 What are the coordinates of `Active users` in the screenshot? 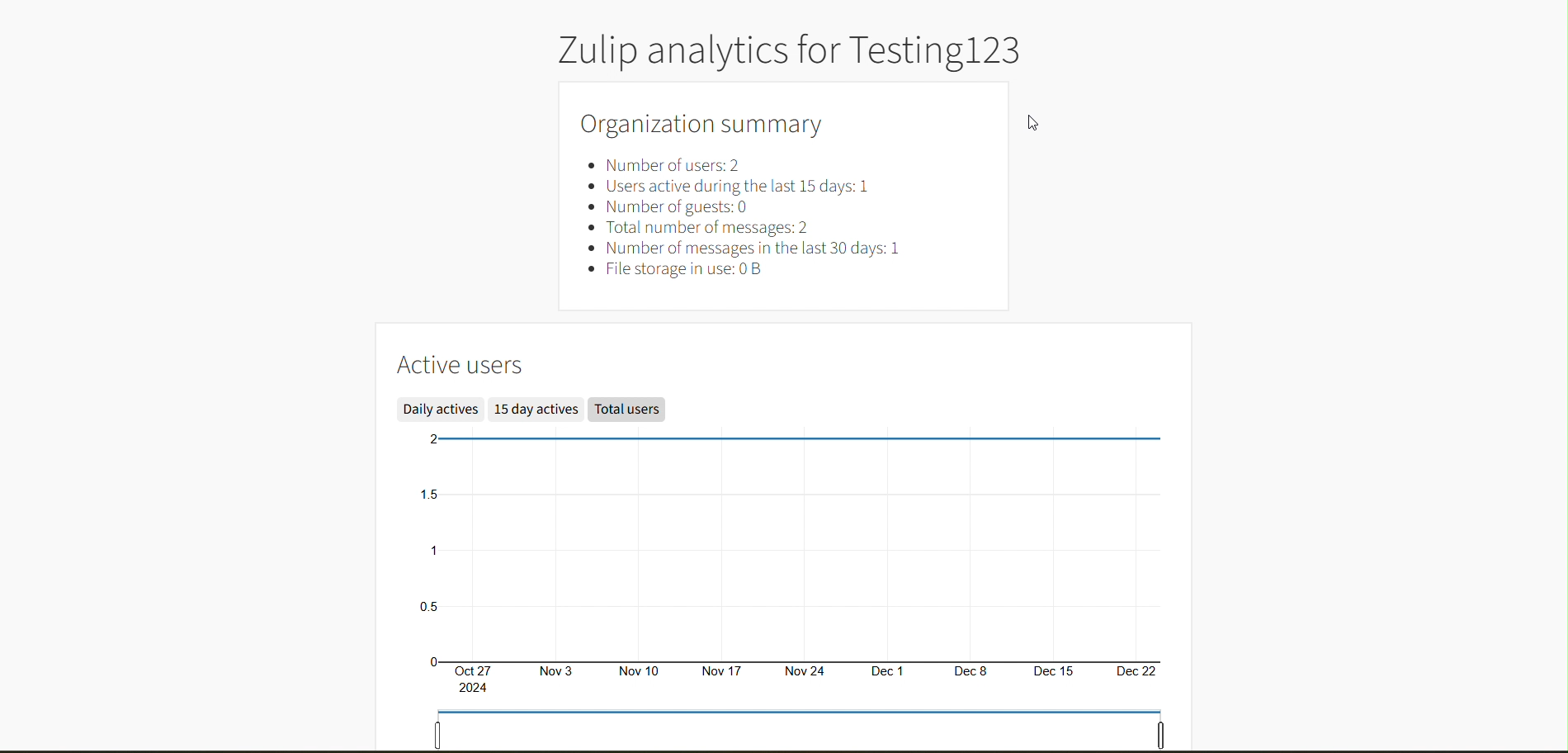 It's located at (464, 363).